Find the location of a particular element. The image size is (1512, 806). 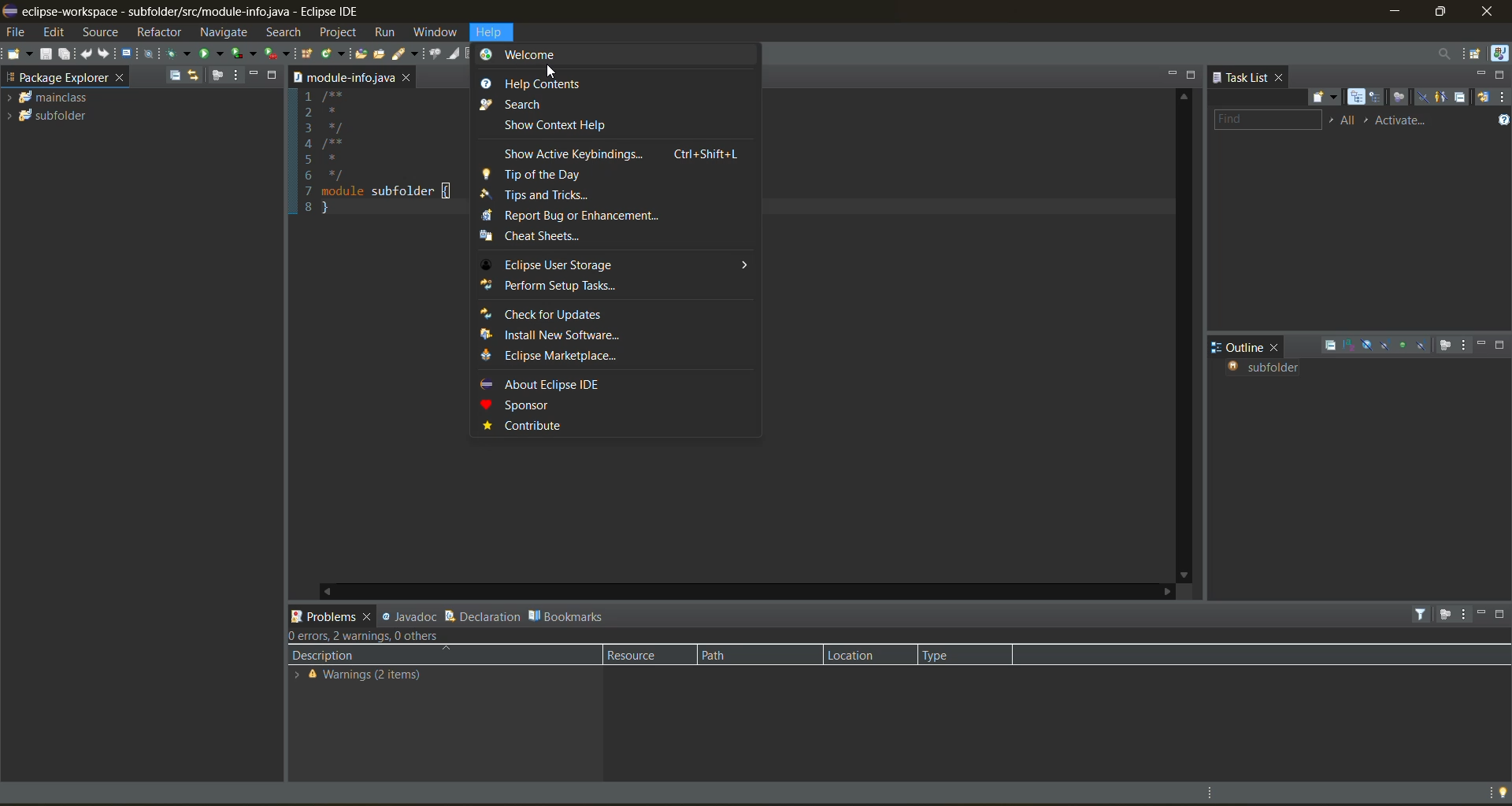

open perspective is located at coordinates (1476, 54).